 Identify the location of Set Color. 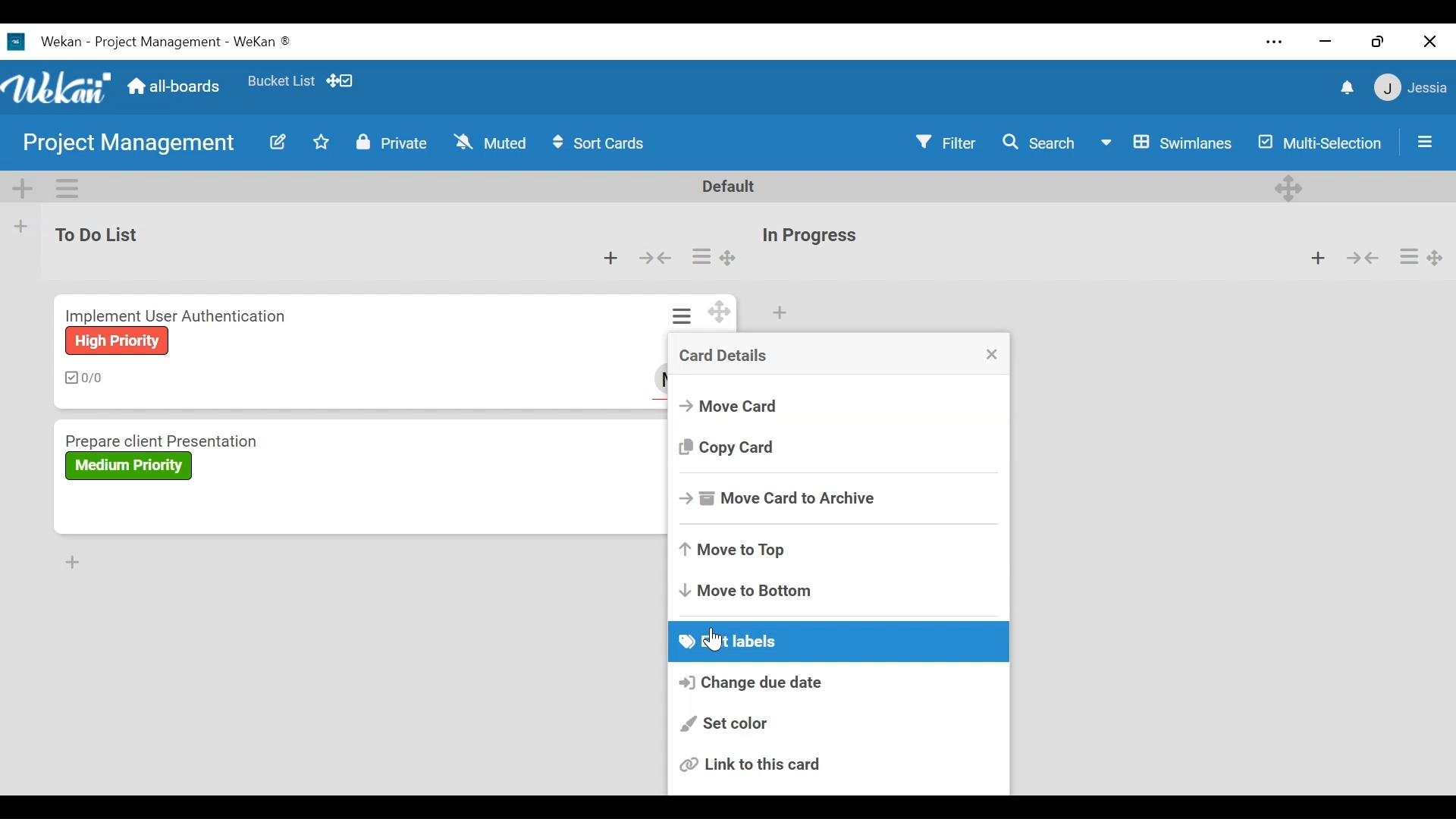
(839, 721).